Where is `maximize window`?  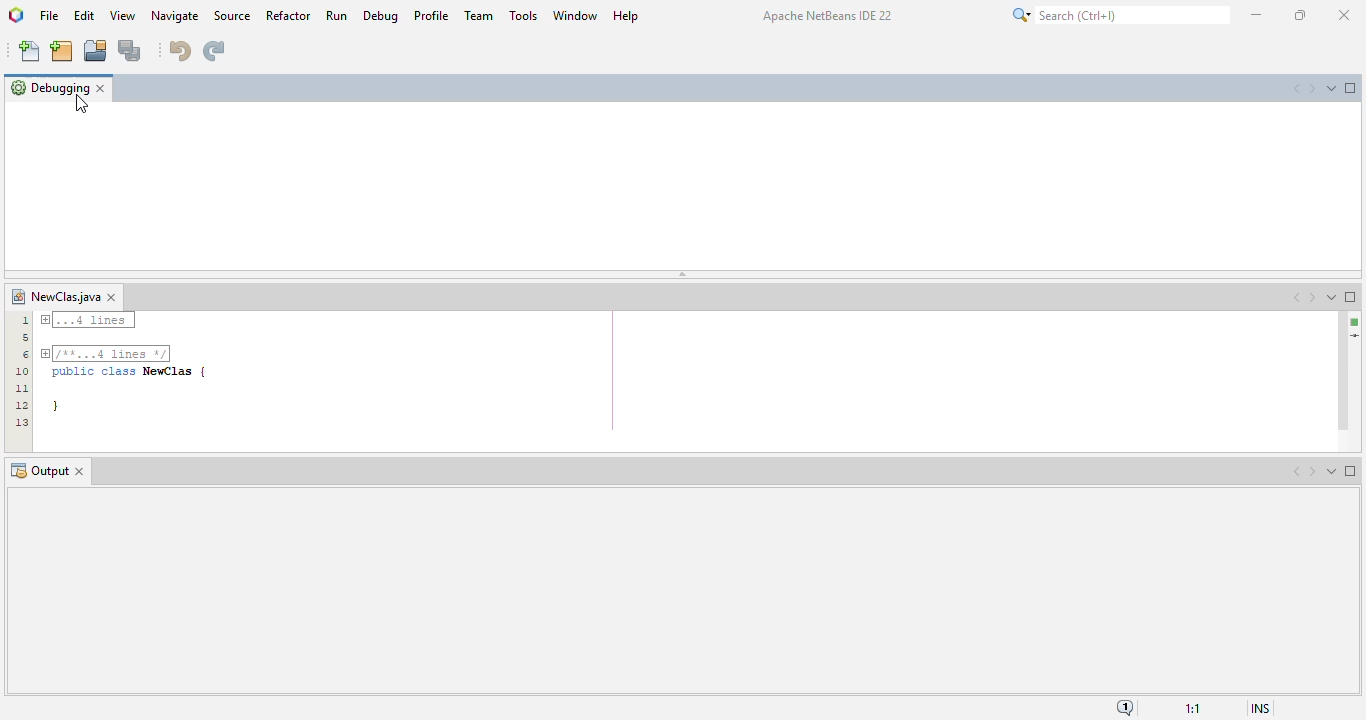 maximize window is located at coordinates (1351, 296).